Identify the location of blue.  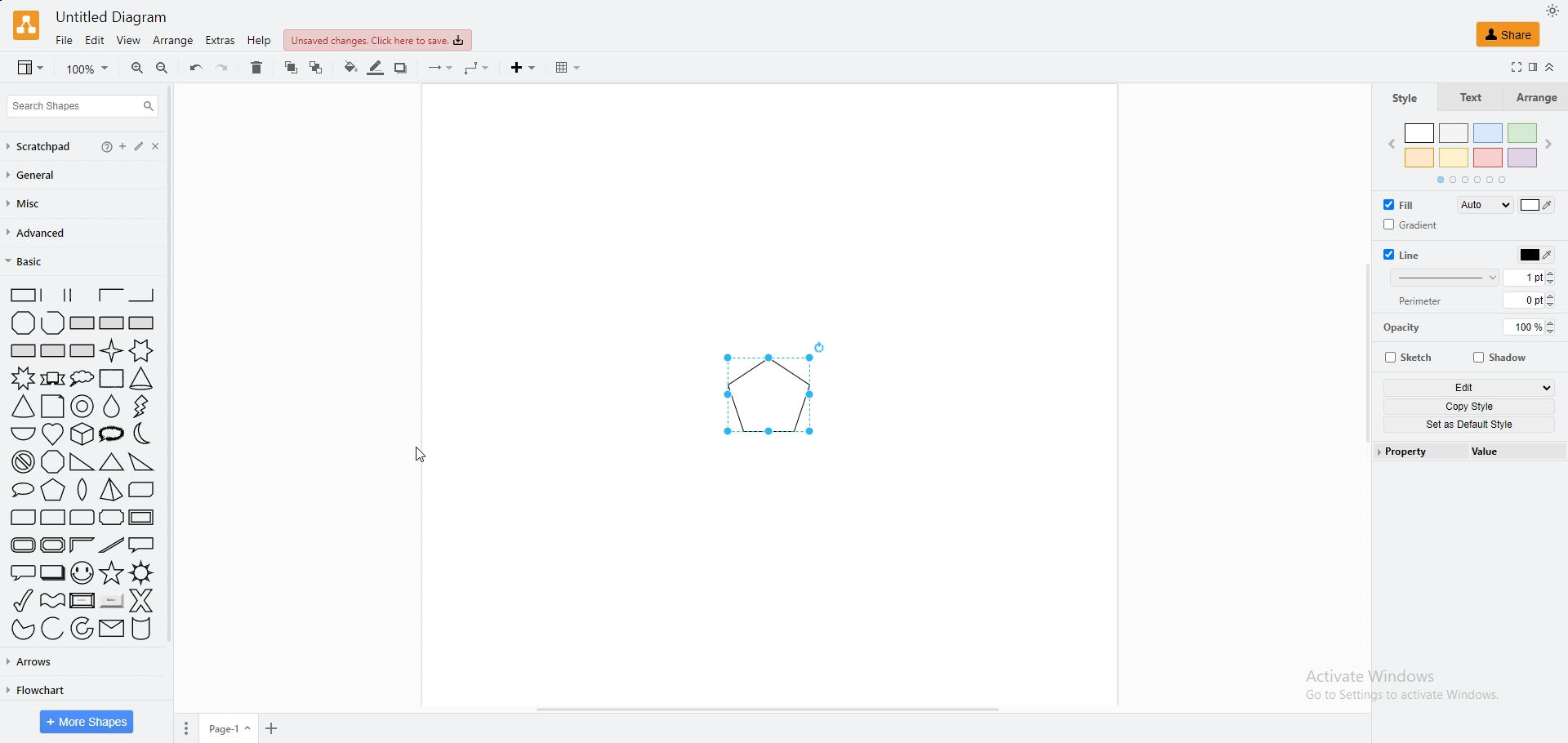
(1489, 134).